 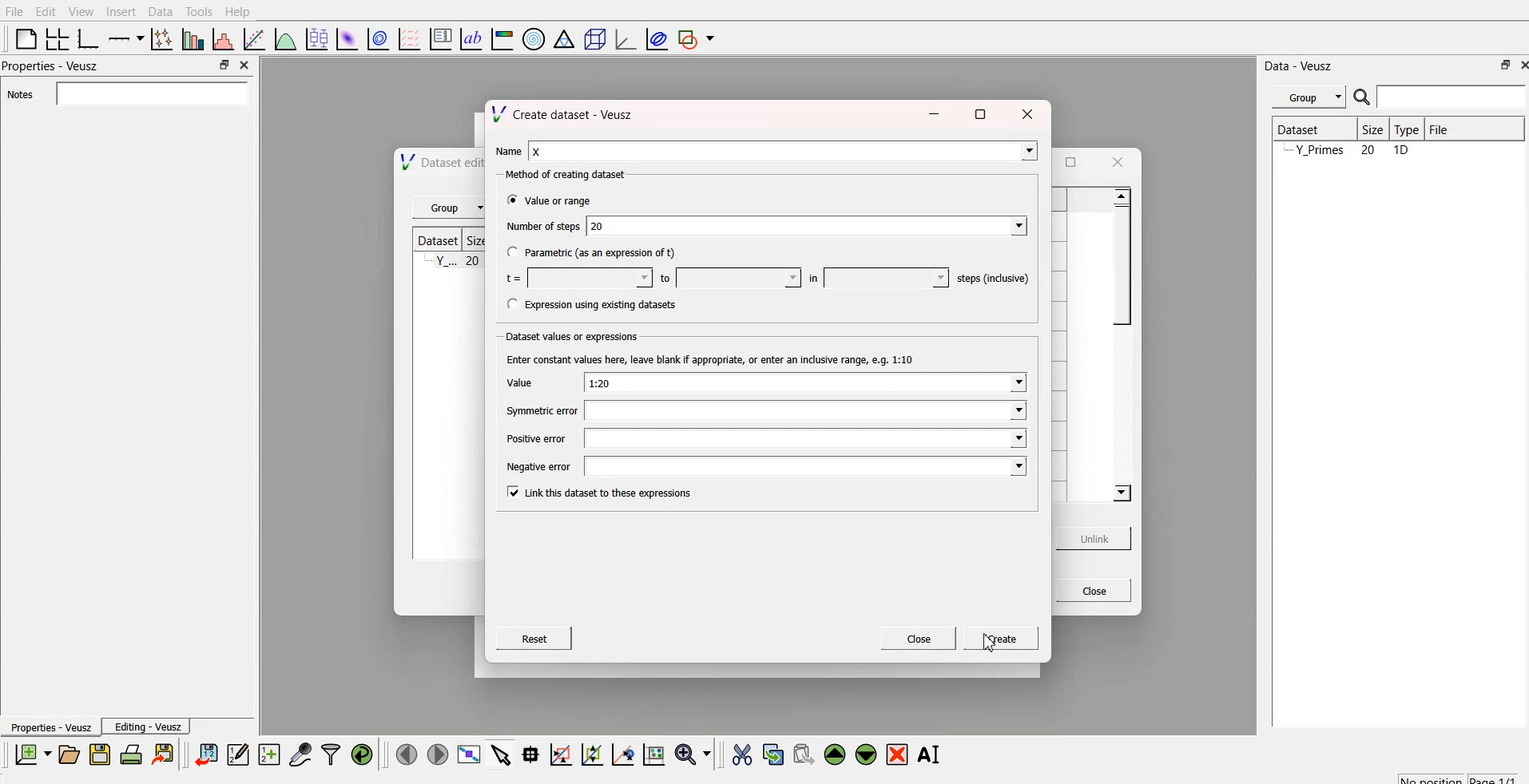 I want to click on Dataset values or expressions, so click(x=570, y=335).